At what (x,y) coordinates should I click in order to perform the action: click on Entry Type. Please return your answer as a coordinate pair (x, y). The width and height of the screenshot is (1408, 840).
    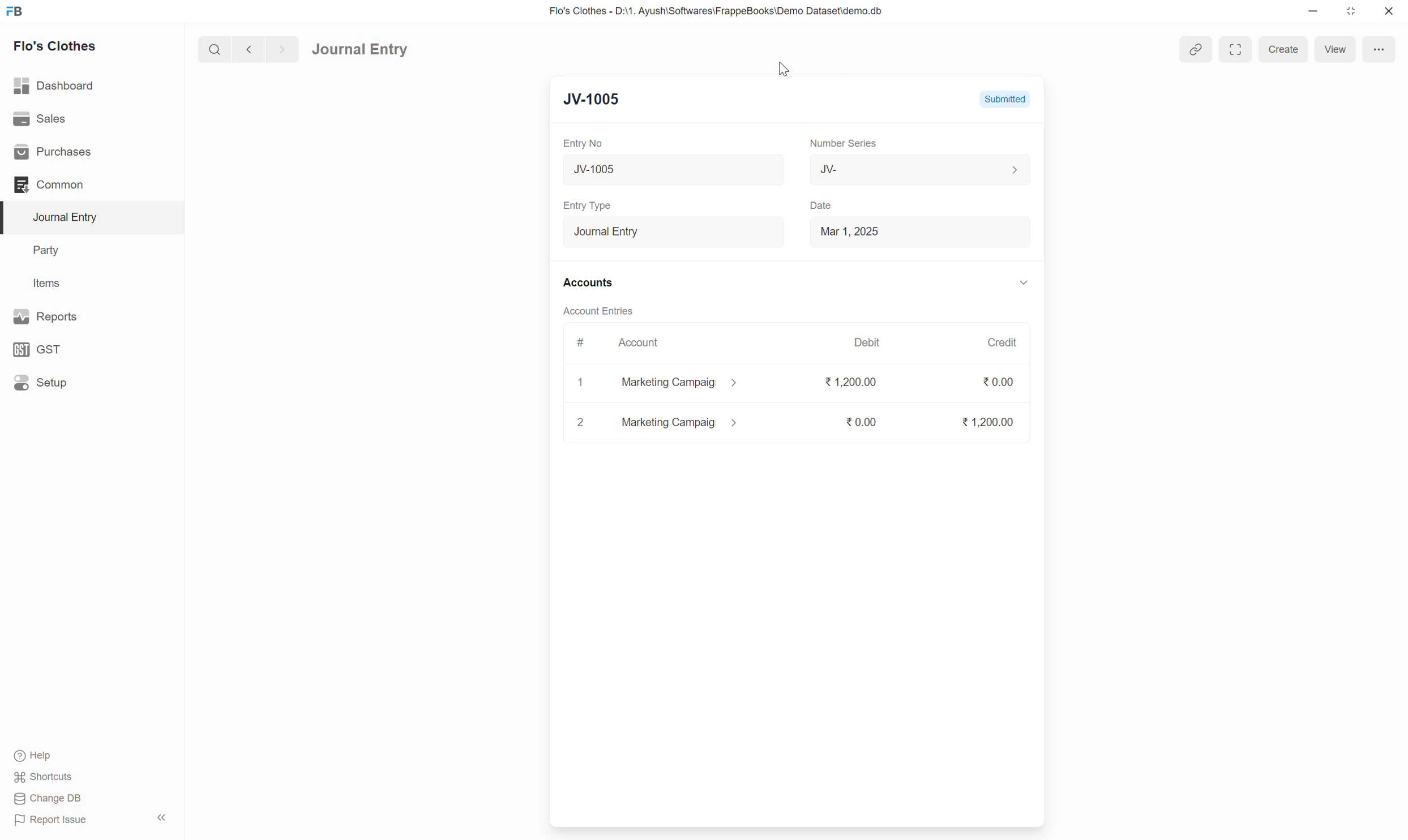
    Looking at the image, I should click on (591, 205).